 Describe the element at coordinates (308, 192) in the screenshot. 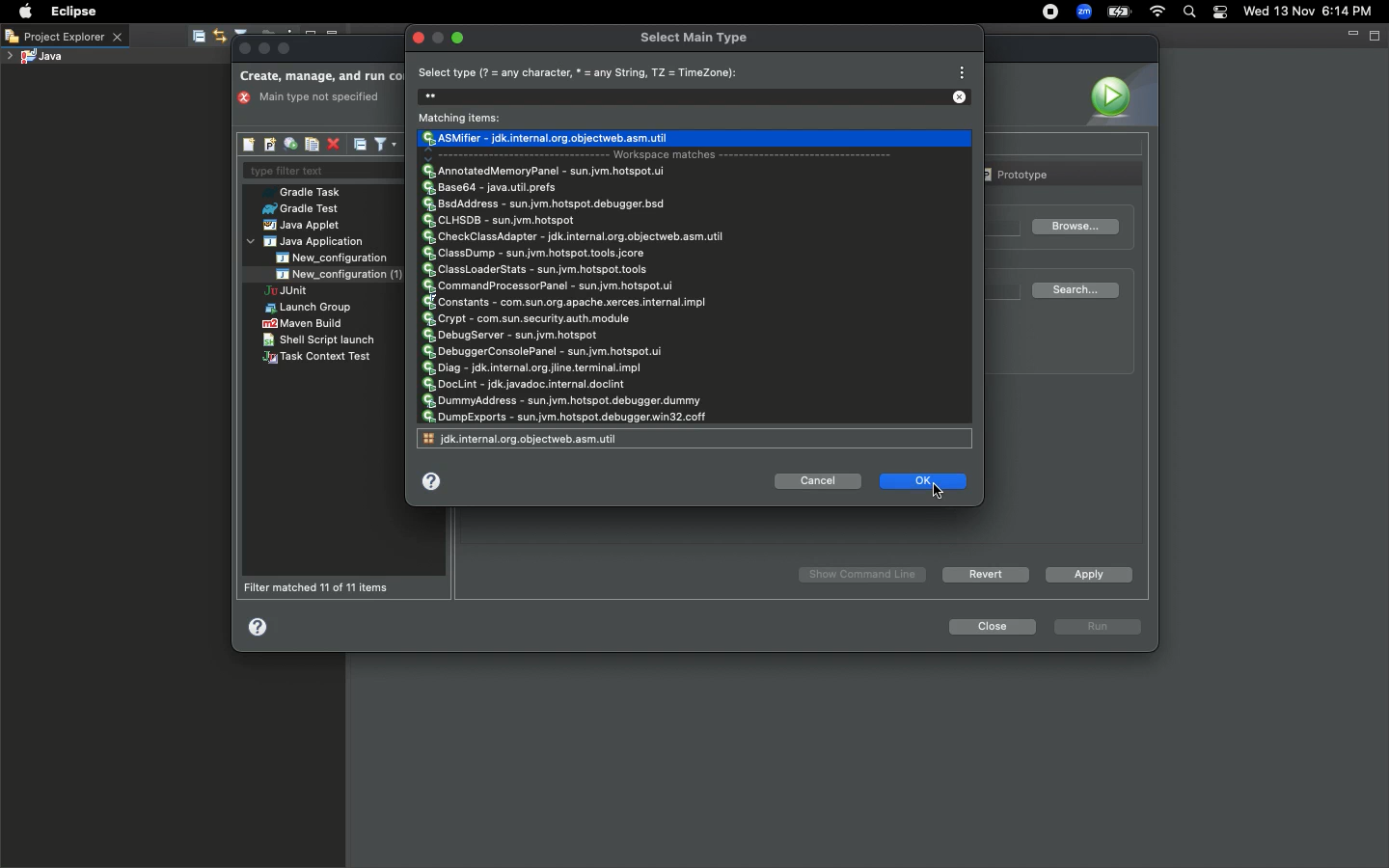

I see `Gradle task` at that location.